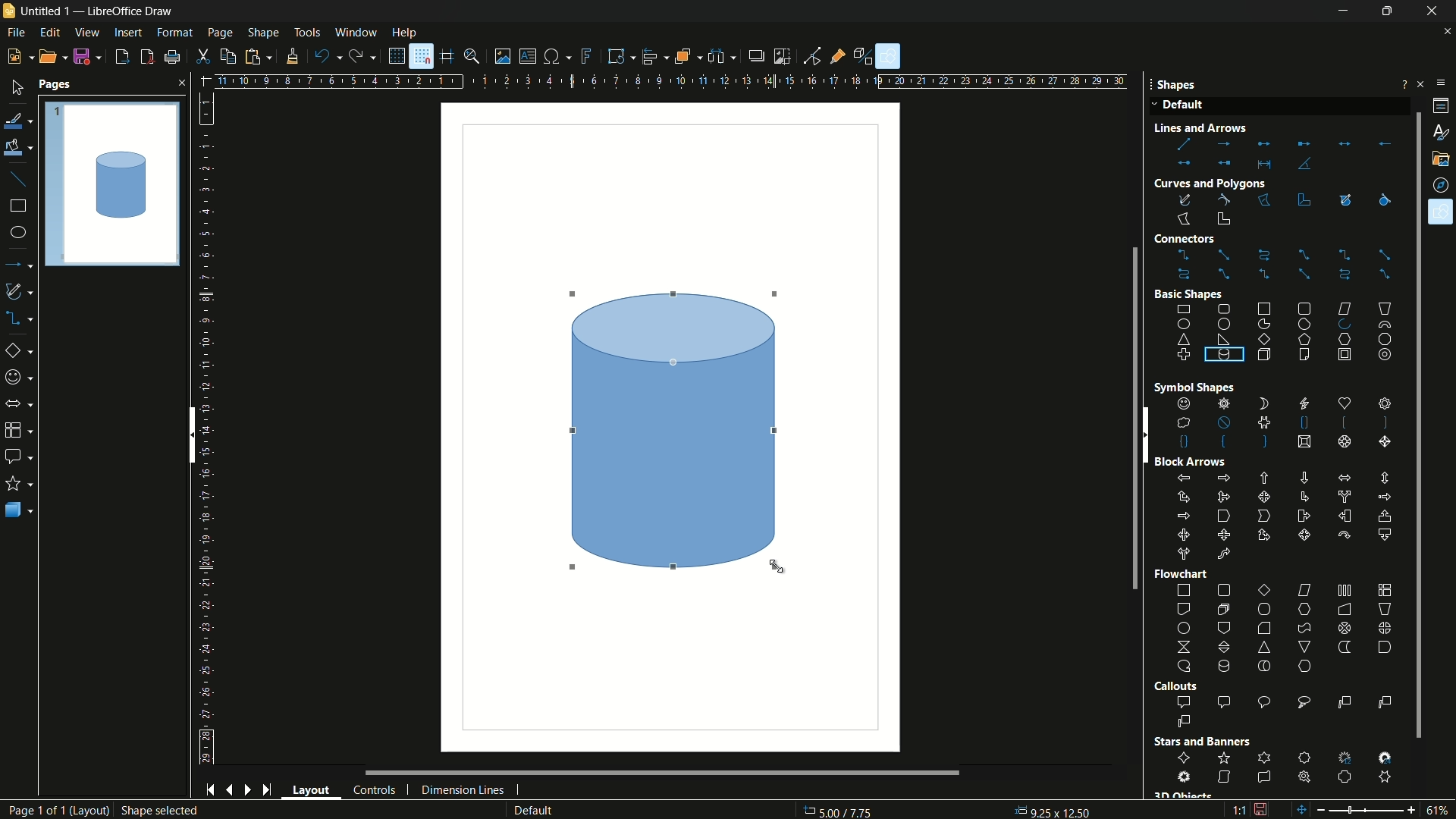 The image size is (1456, 819). Describe the element at coordinates (1436, 11) in the screenshot. I see `close app` at that location.